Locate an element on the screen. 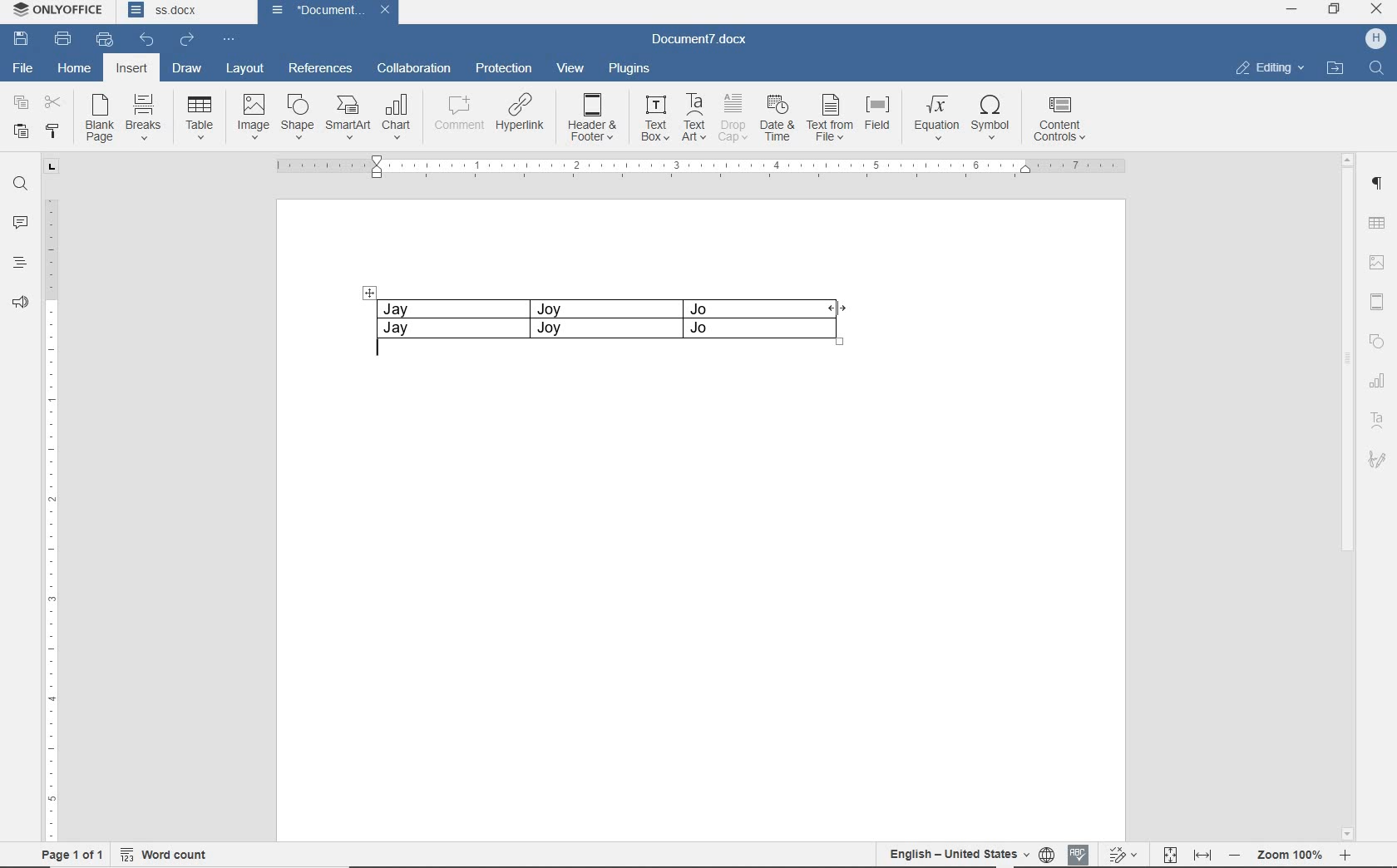 This screenshot has height=868, width=1397. COPY is located at coordinates (21, 104).